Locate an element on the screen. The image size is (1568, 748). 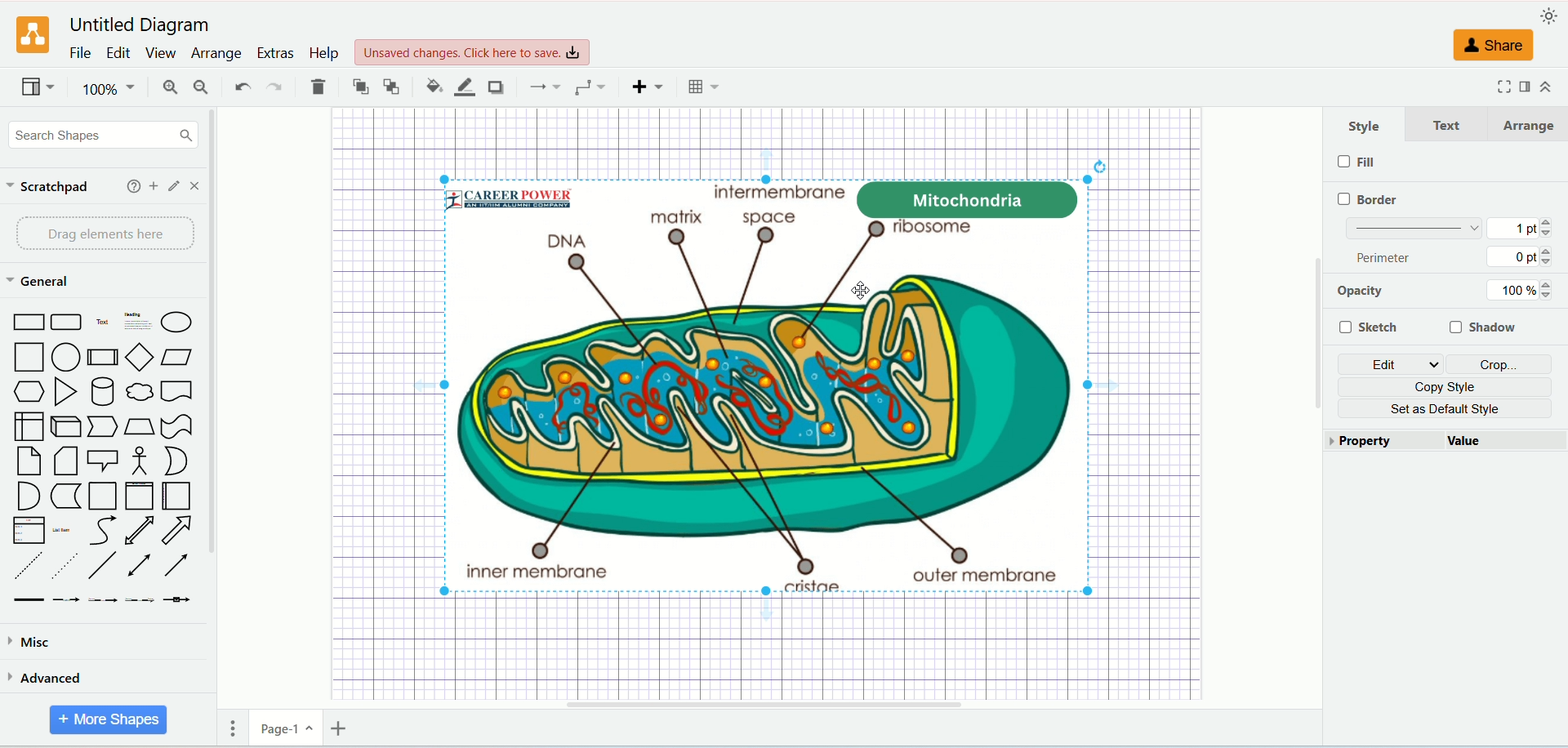
Connector with Label is located at coordinates (65, 601).